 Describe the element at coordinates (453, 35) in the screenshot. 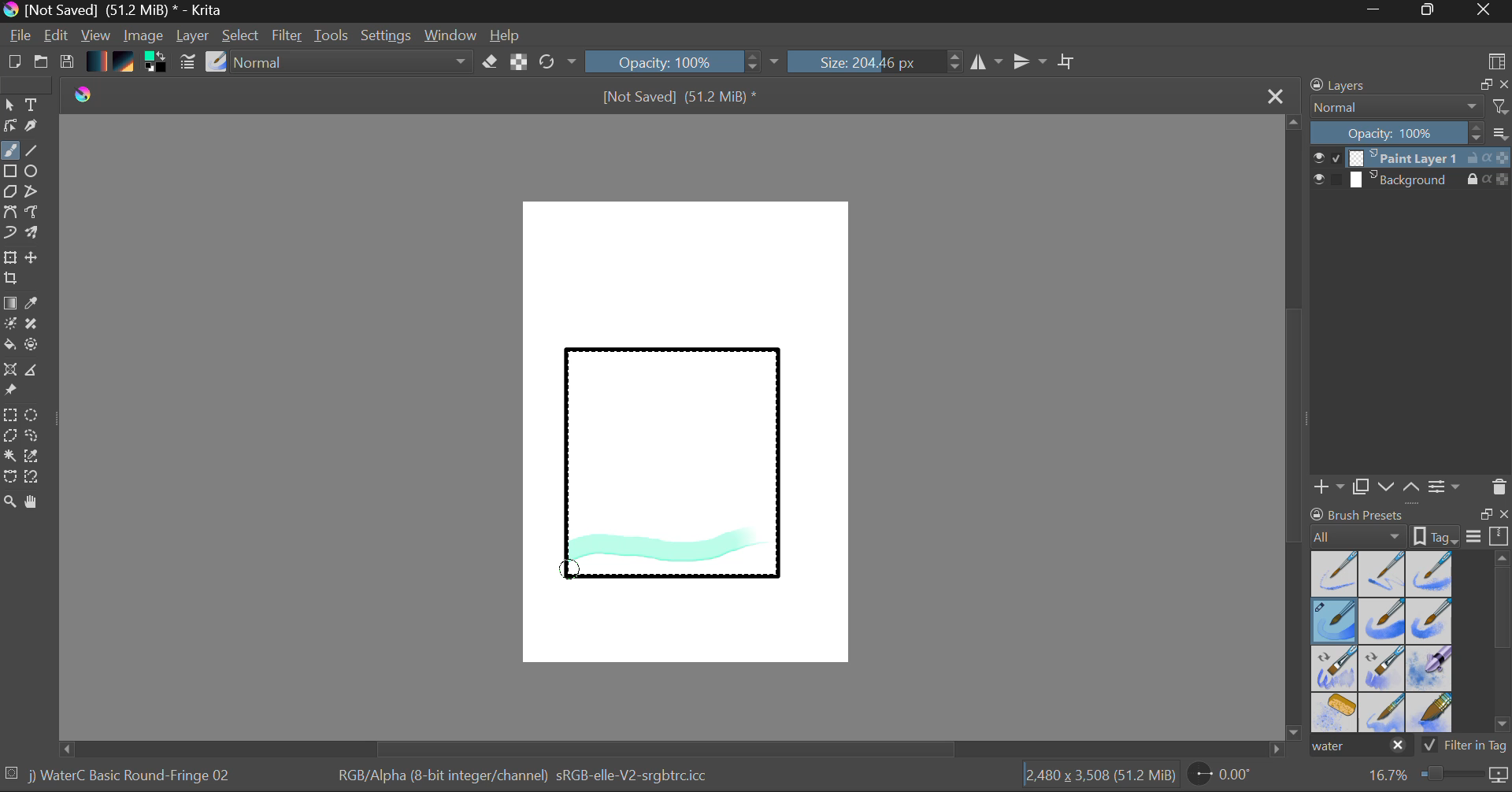

I see `Window` at that location.